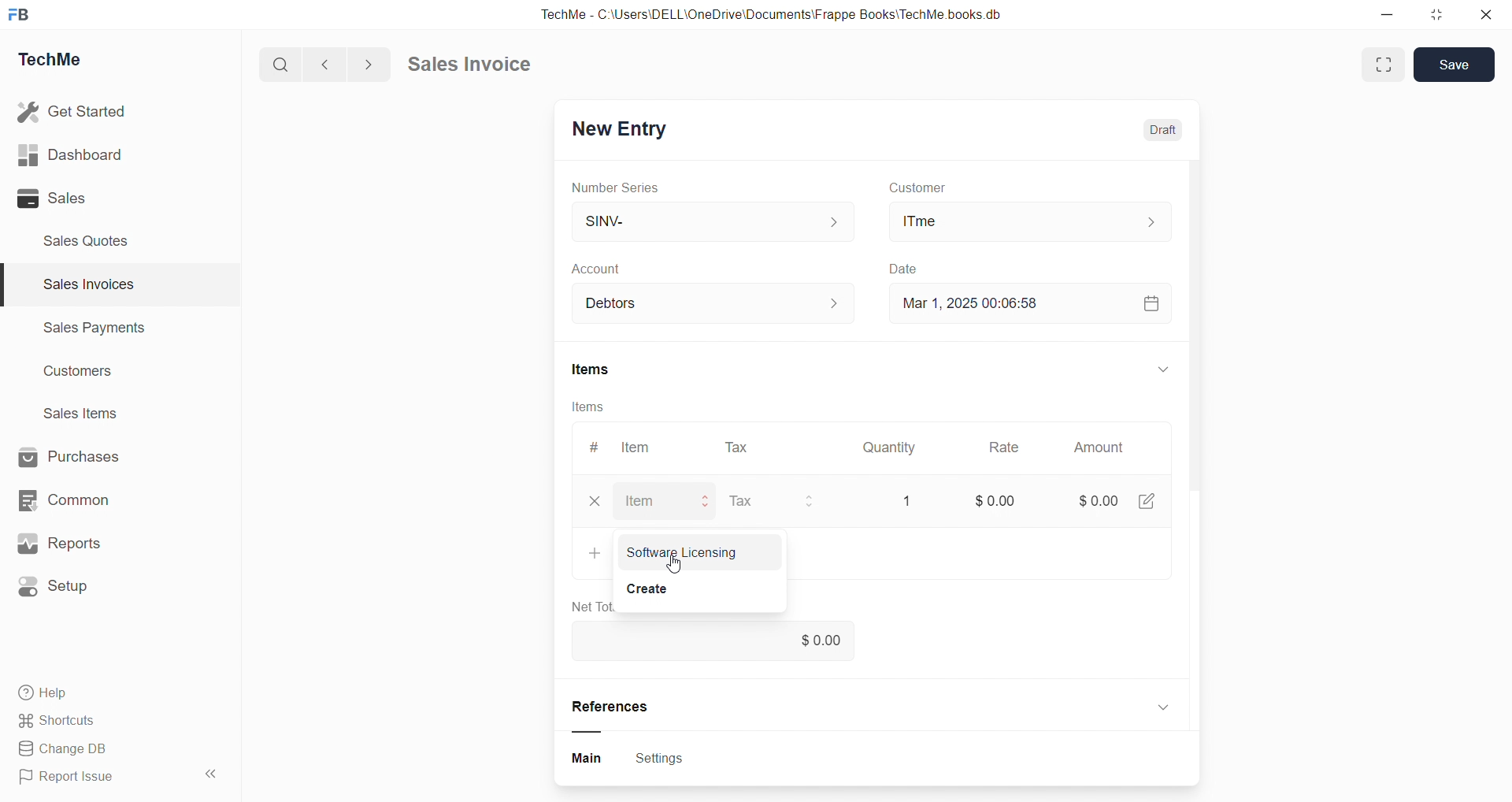  I want to click on cursor, so click(682, 566).